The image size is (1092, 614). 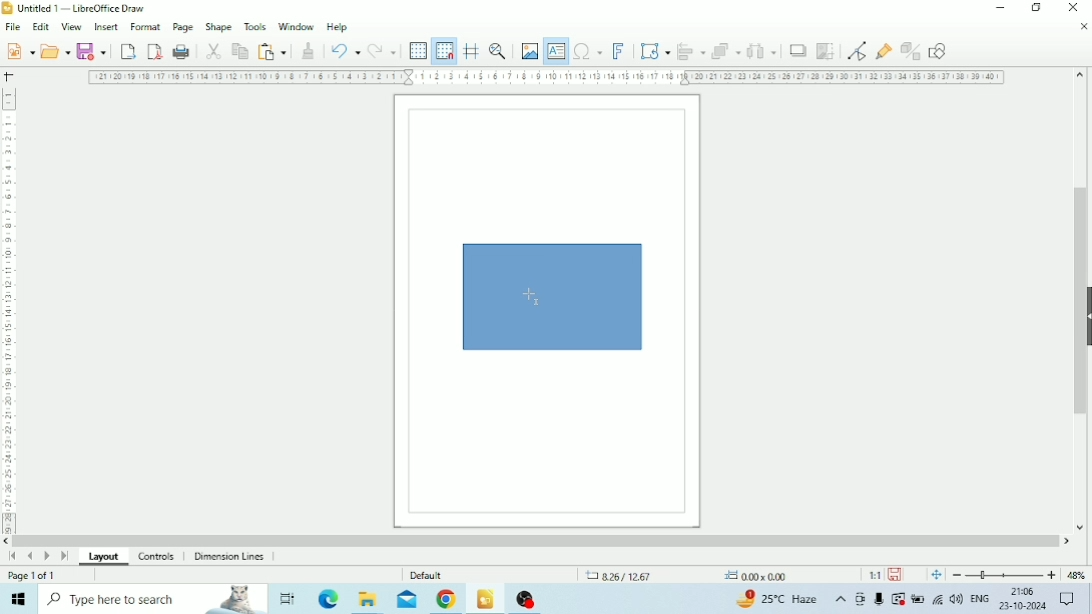 I want to click on Format, so click(x=145, y=26).